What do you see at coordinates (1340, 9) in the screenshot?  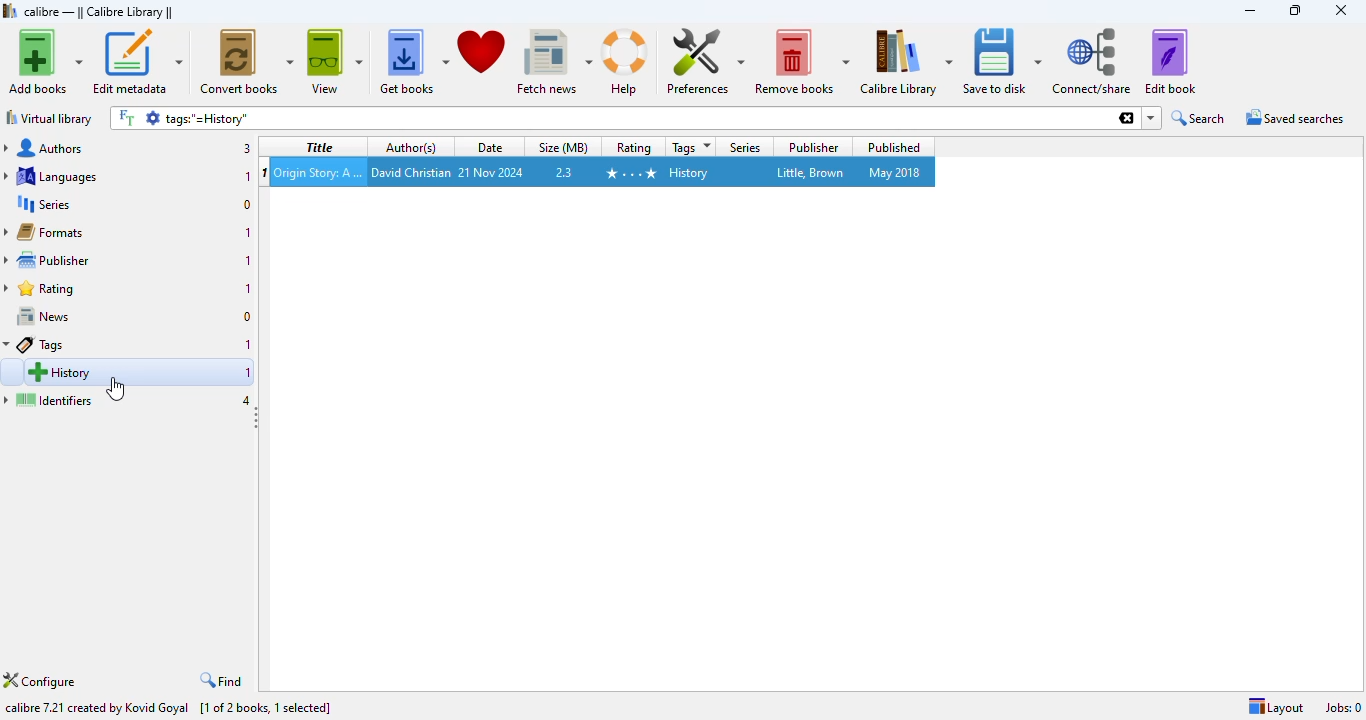 I see `close` at bounding box center [1340, 9].